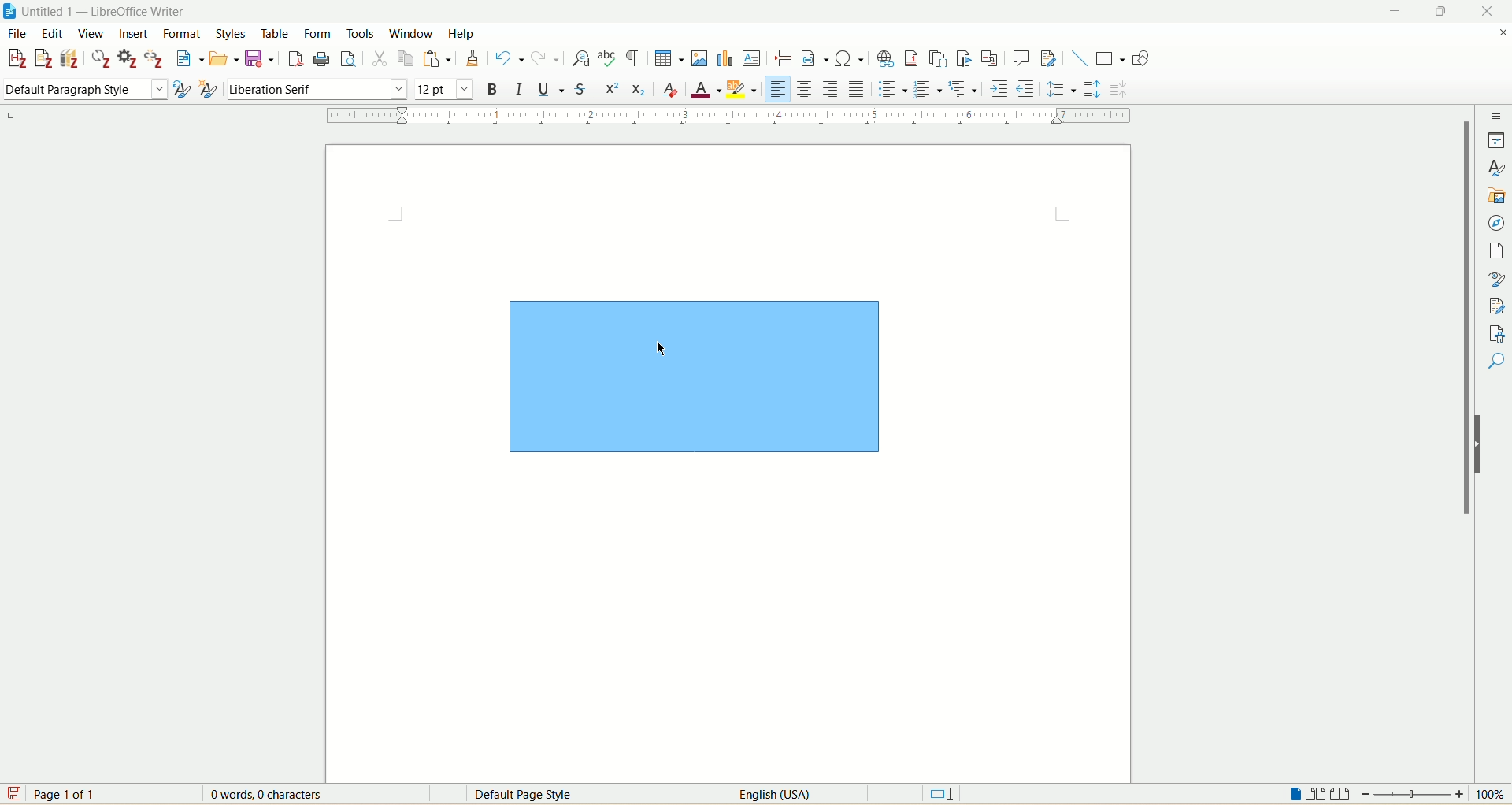  Describe the element at coordinates (70, 59) in the screenshot. I see `add bibliography` at that location.